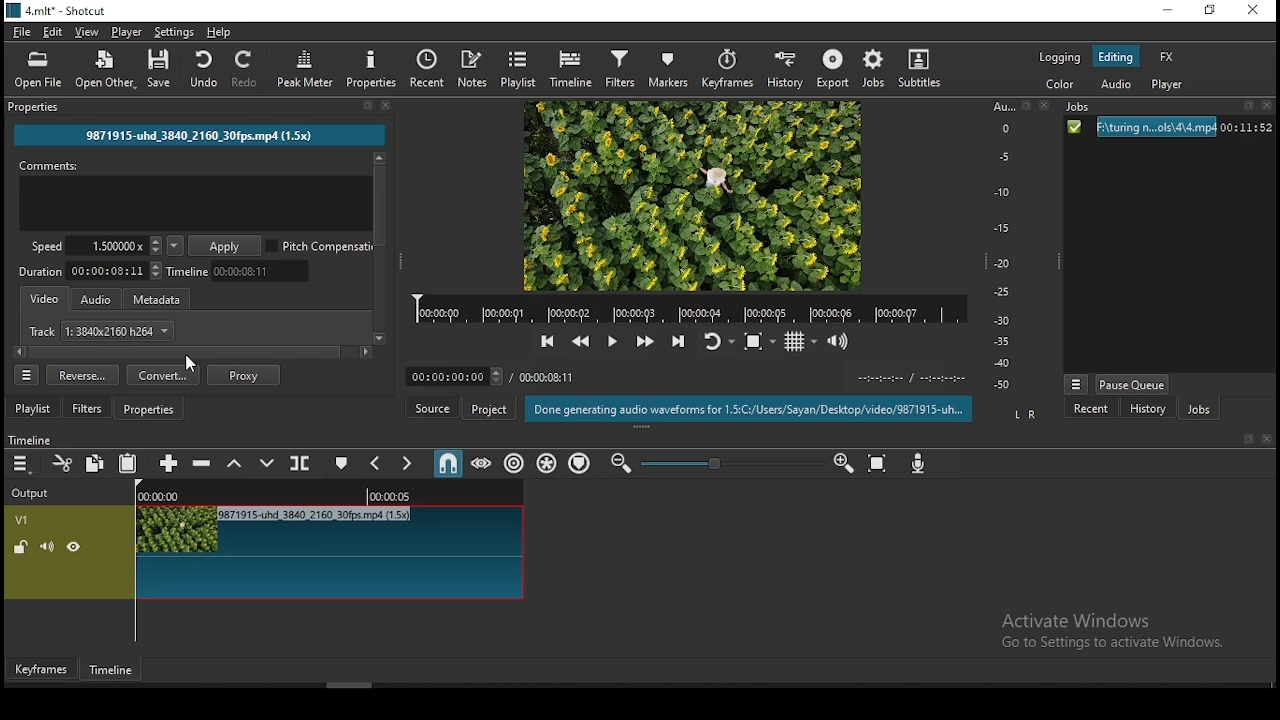  Describe the element at coordinates (1116, 55) in the screenshot. I see `editing` at that location.